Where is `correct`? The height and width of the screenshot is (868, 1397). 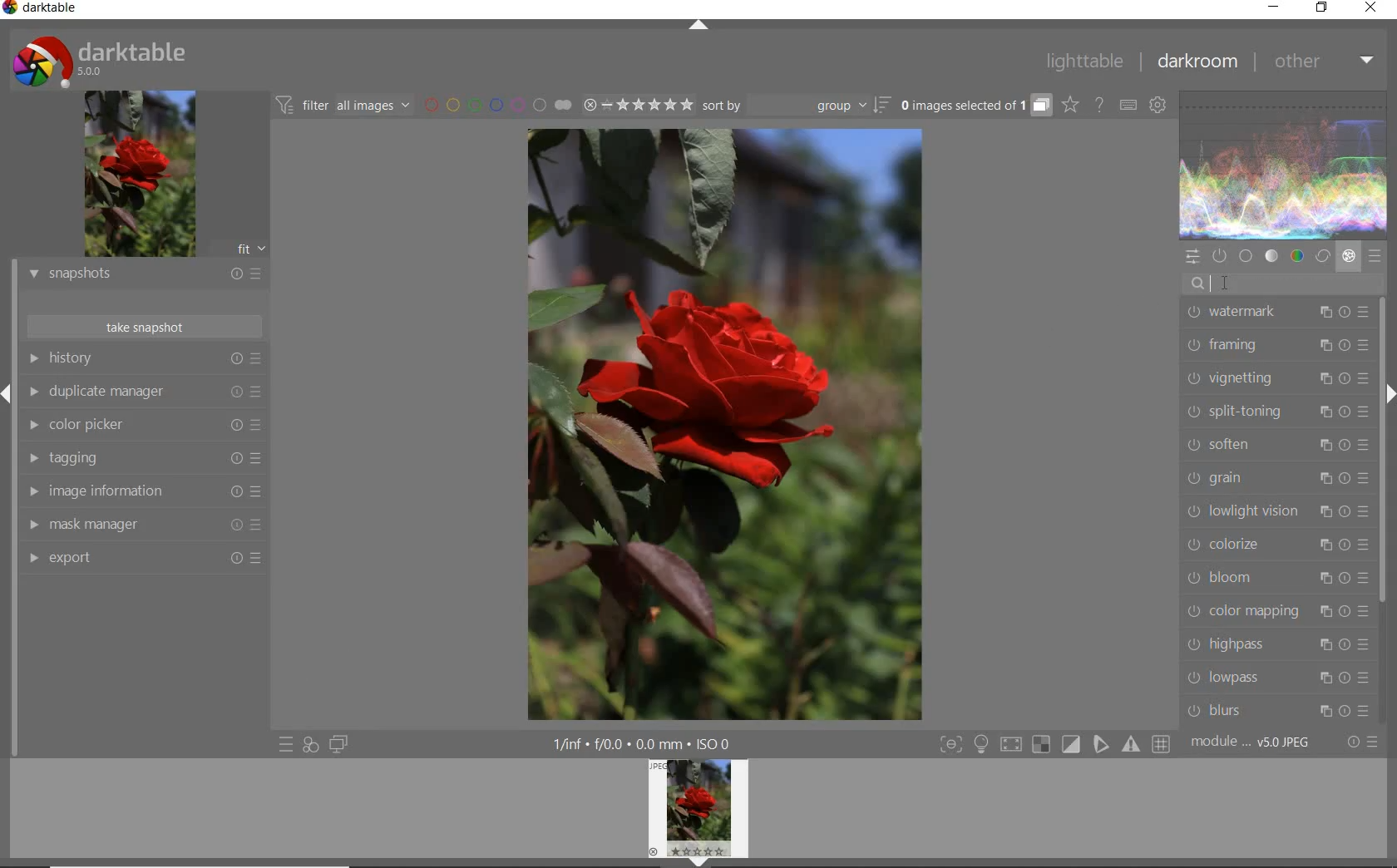 correct is located at coordinates (1322, 257).